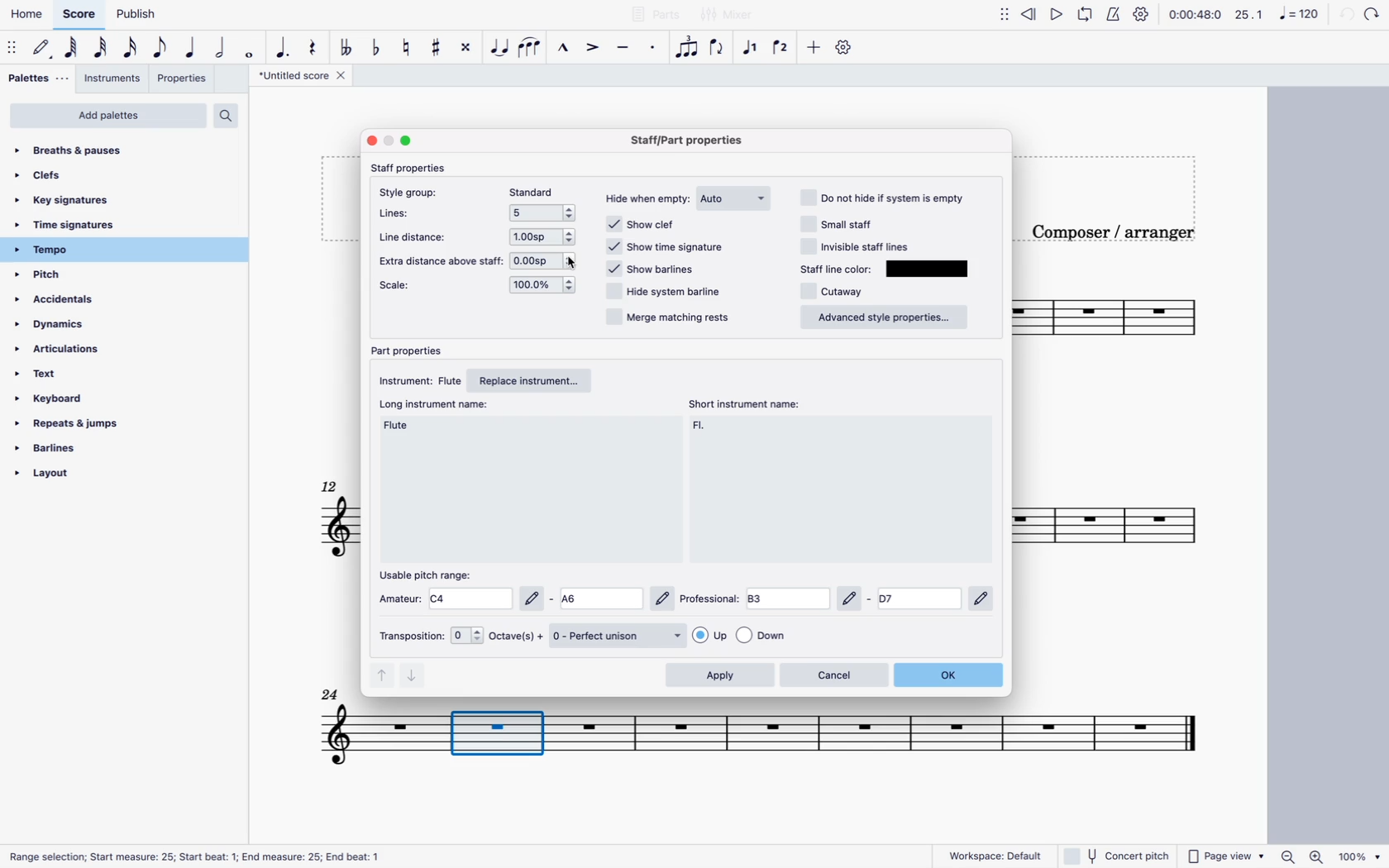  What do you see at coordinates (76, 449) in the screenshot?
I see `barlines` at bounding box center [76, 449].